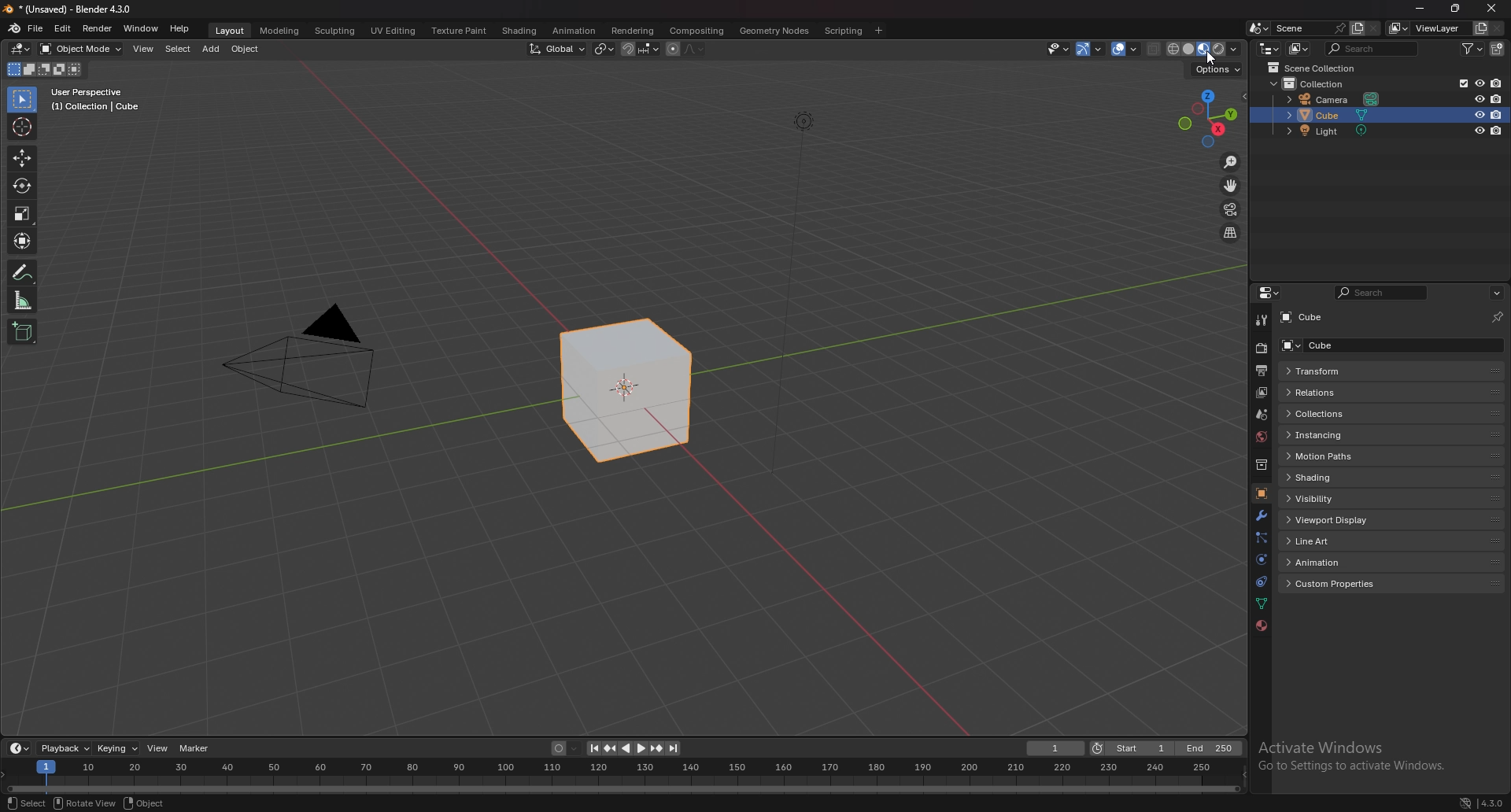  I want to click on scripting, so click(843, 31).